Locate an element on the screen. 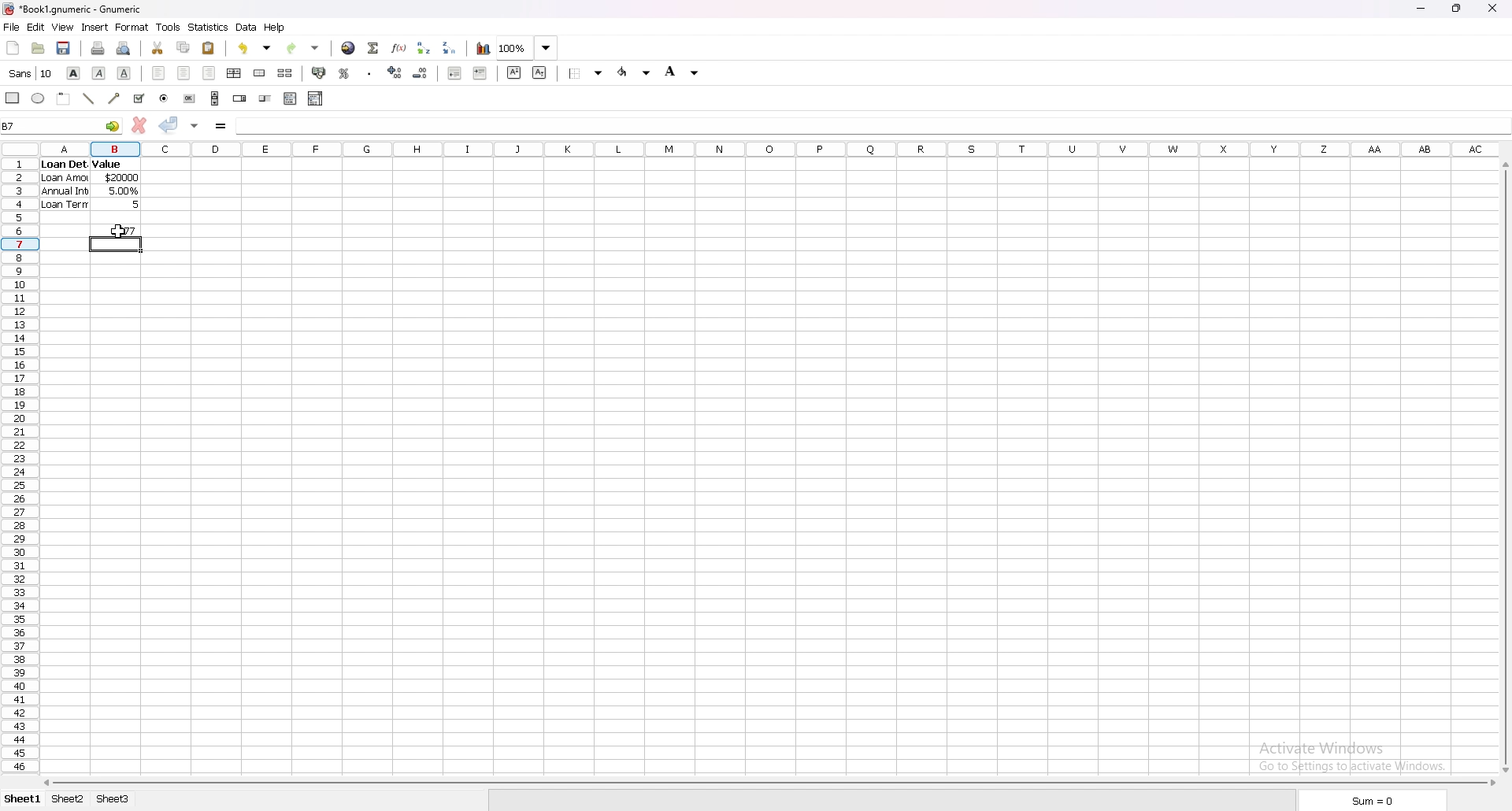 This screenshot has height=811, width=1512. accounting is located at coordinates (317, 72).